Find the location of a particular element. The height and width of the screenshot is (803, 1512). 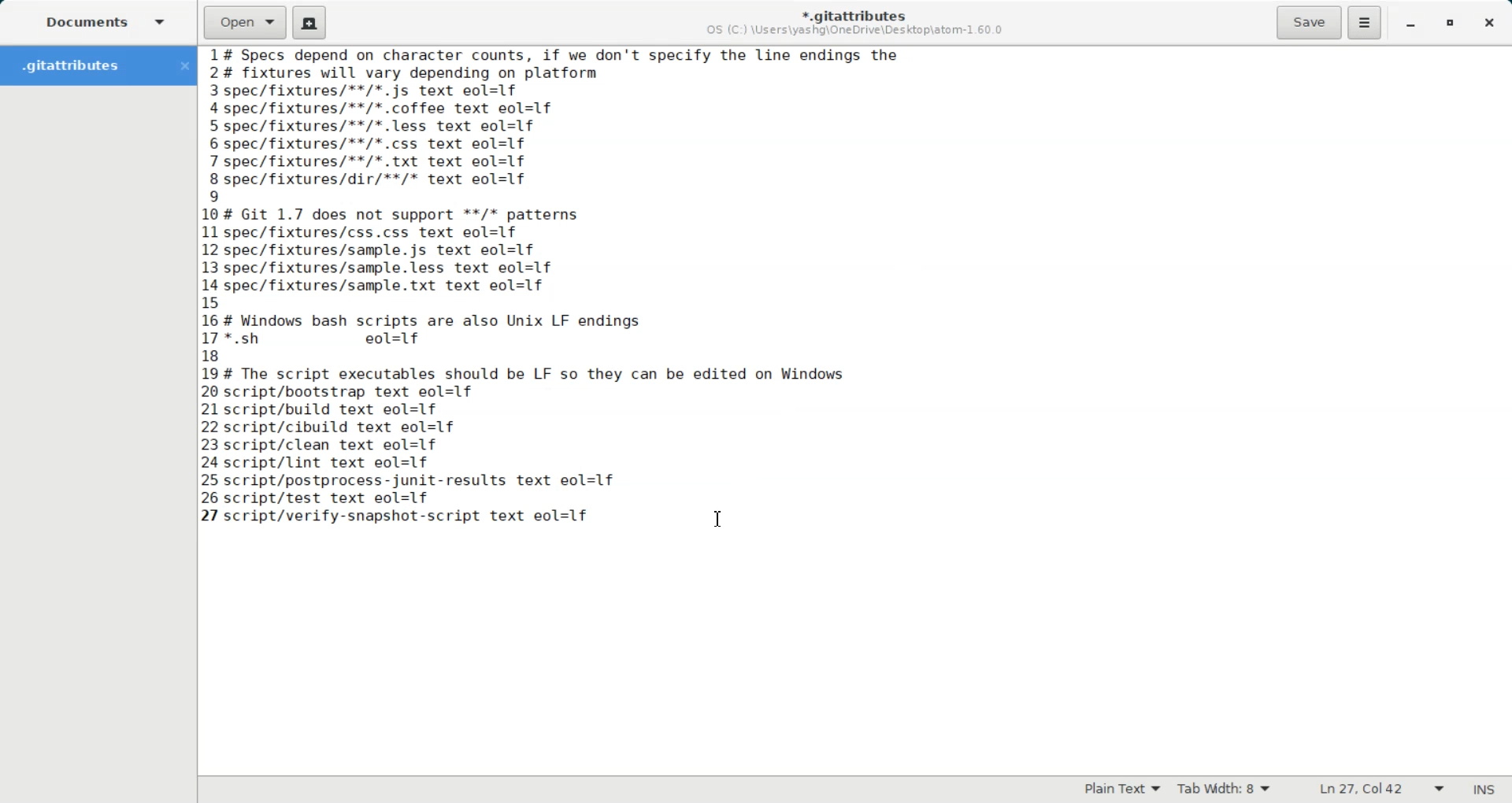

Tab Width: 9 is located at coordinates (1225, 790).